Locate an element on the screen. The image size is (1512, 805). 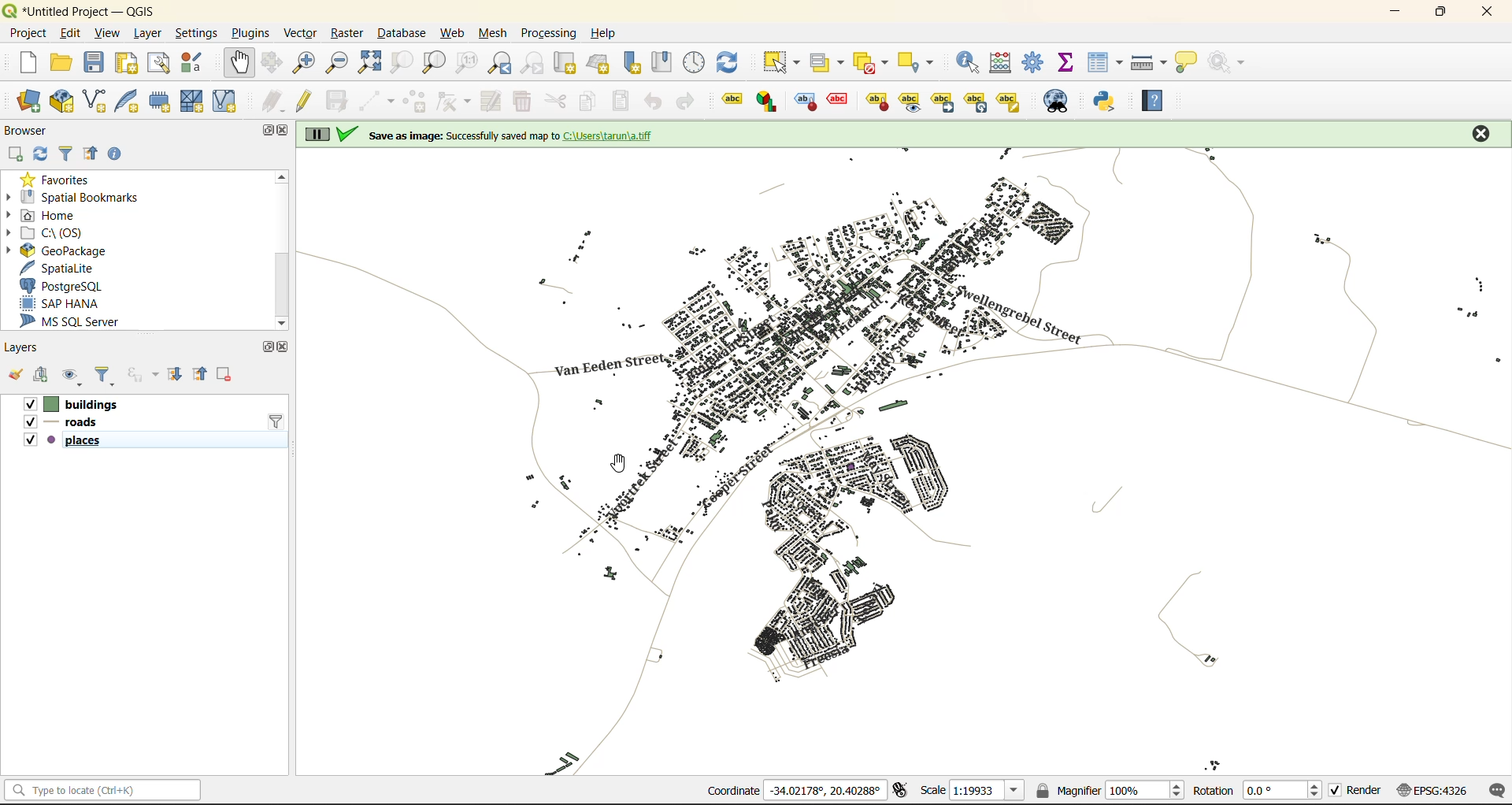
manage map is located at coordinates (72, 376).